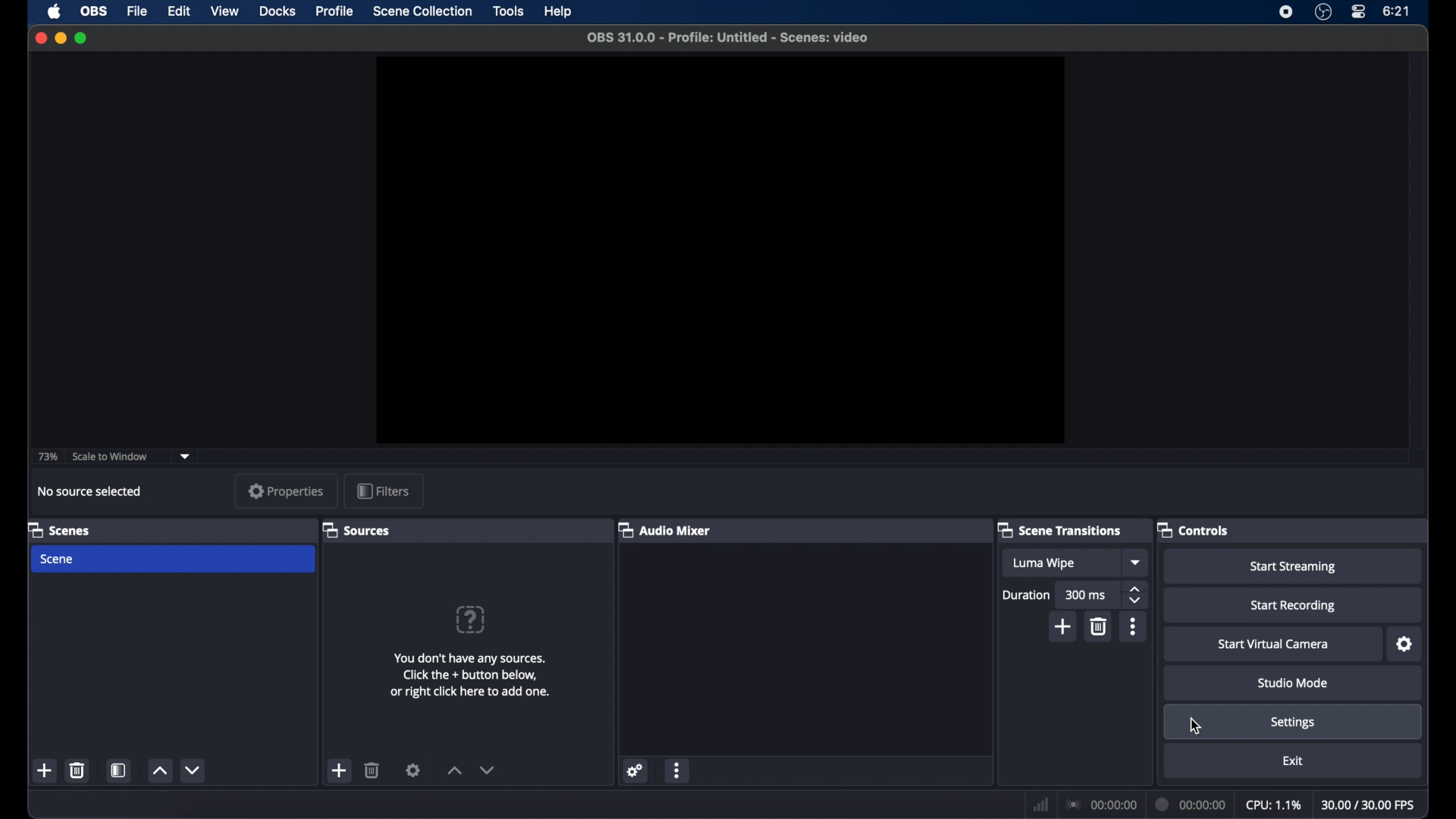  What do you see at coordinates (1084, 595) in the screenshot?
I see `300 ms` at bounding box center [1084, 595].